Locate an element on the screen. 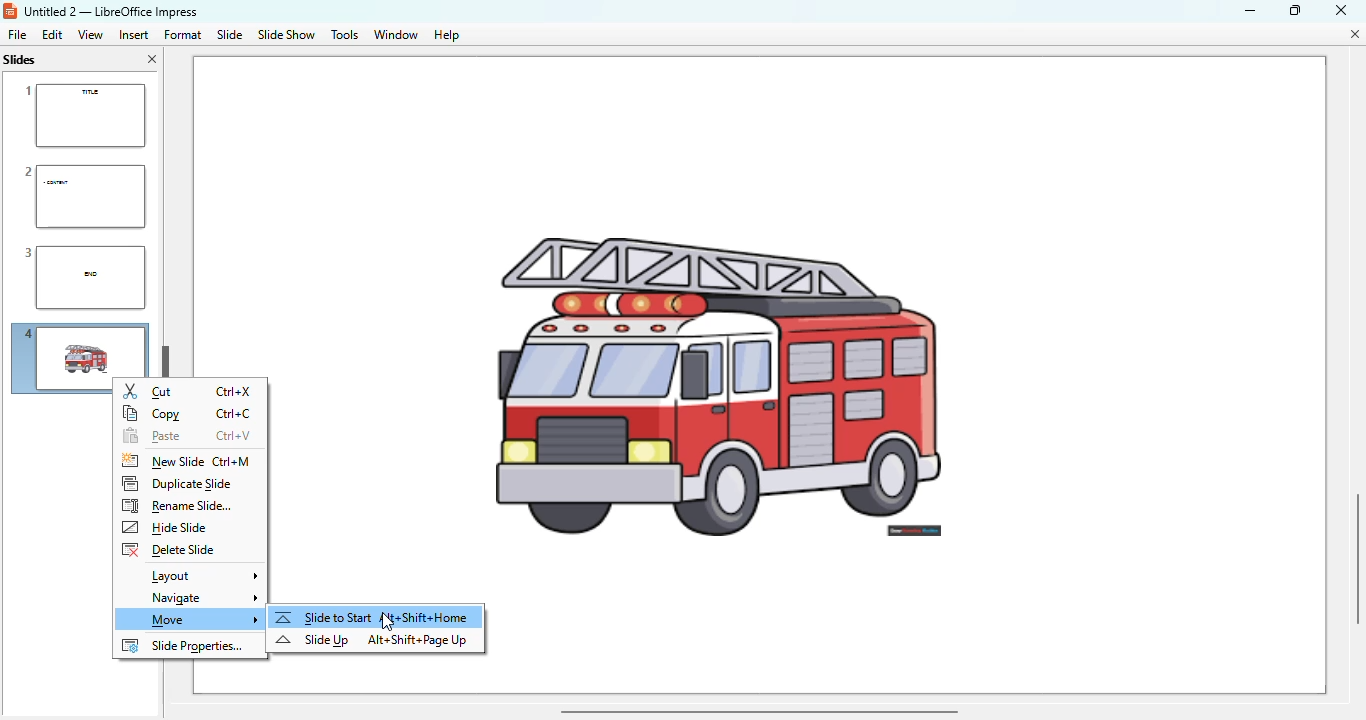  slide to start is located at coordinates (374, 617).